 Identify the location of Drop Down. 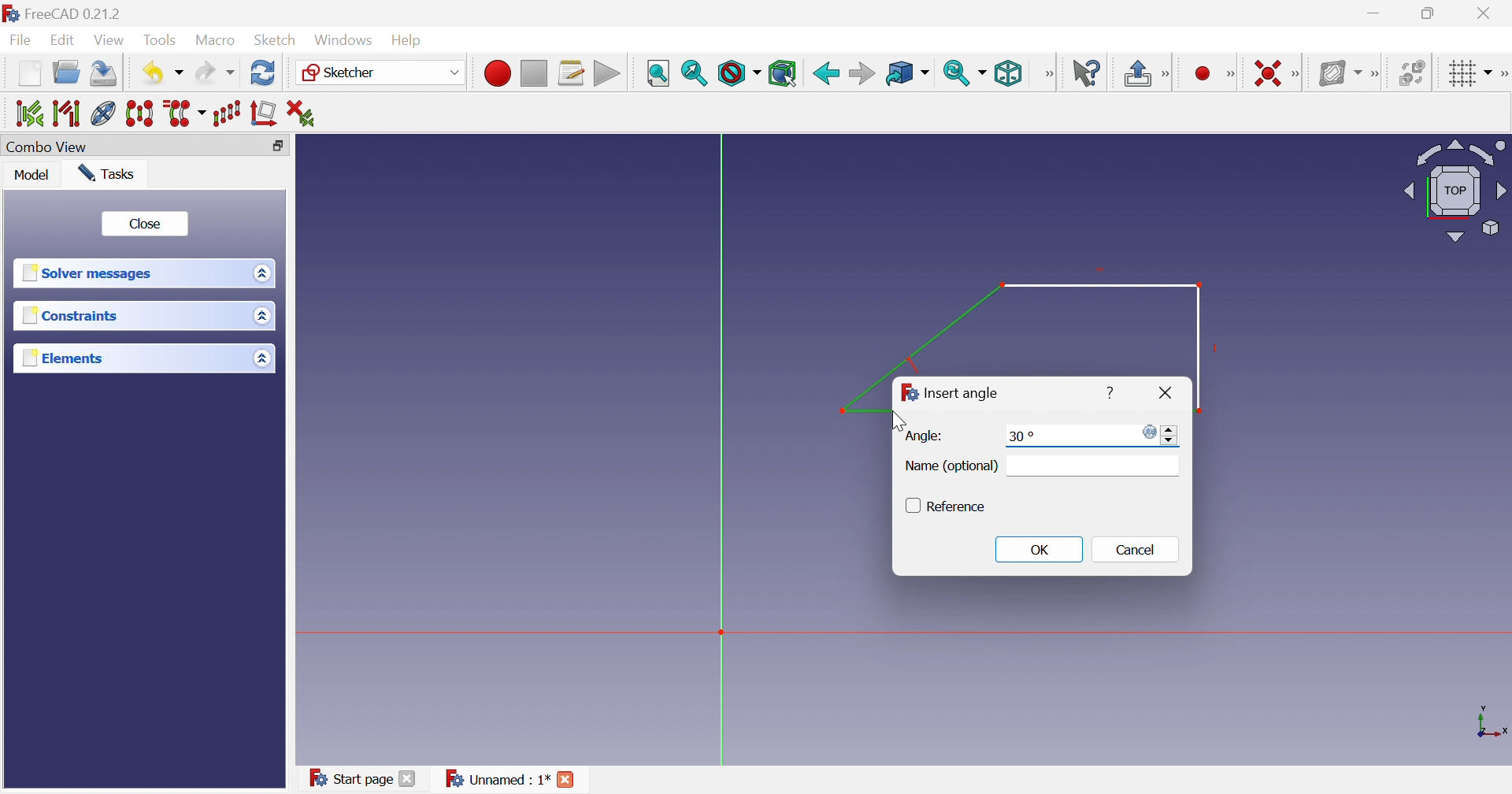
(985, 72).